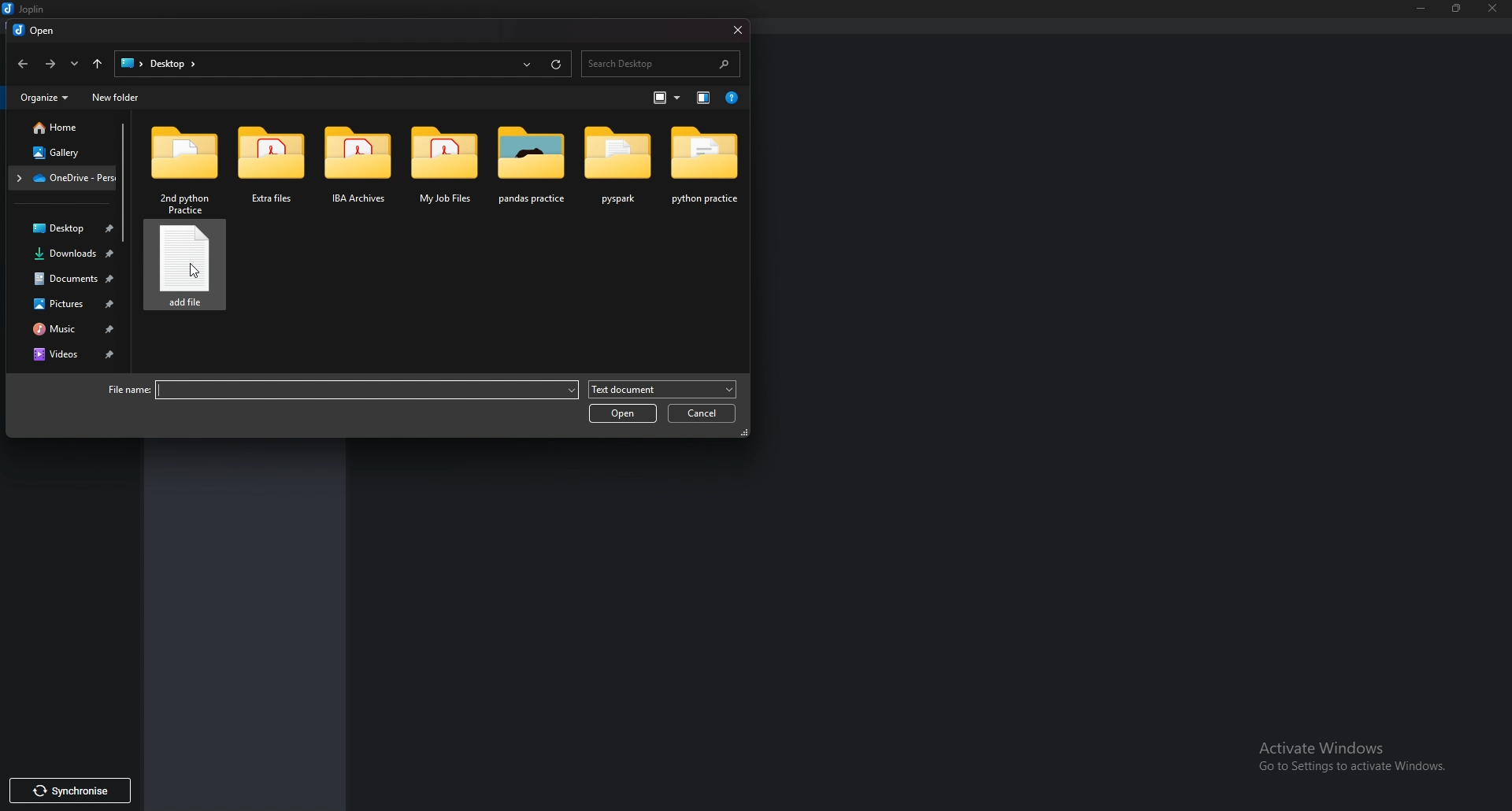  What do you see at coordinates (80, 789) in the screenshot?
I see `synchronise` at bounding box center [80, 789].